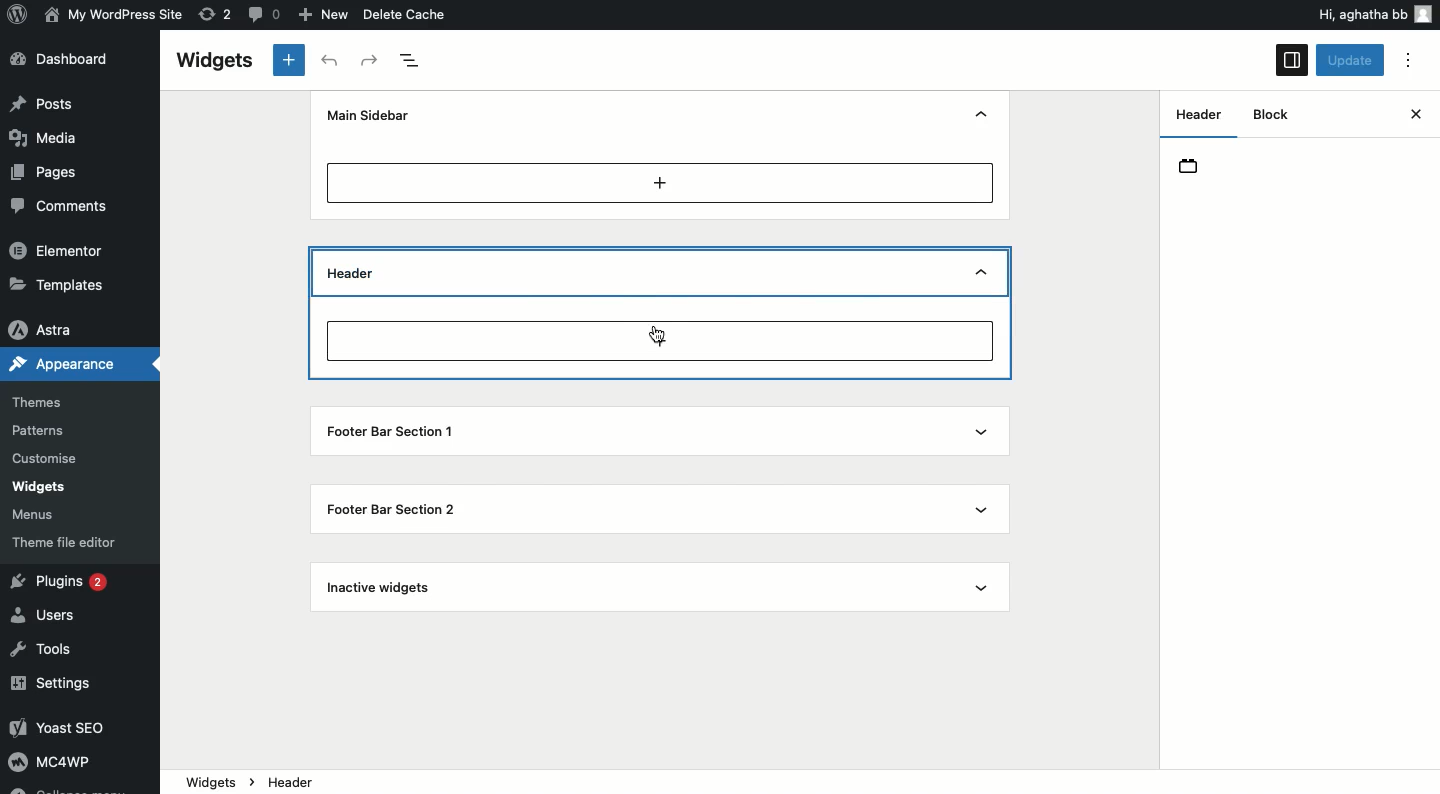 The height and width of the screenshot is (794, 1440). I want to click on Show, so click(978, 429).